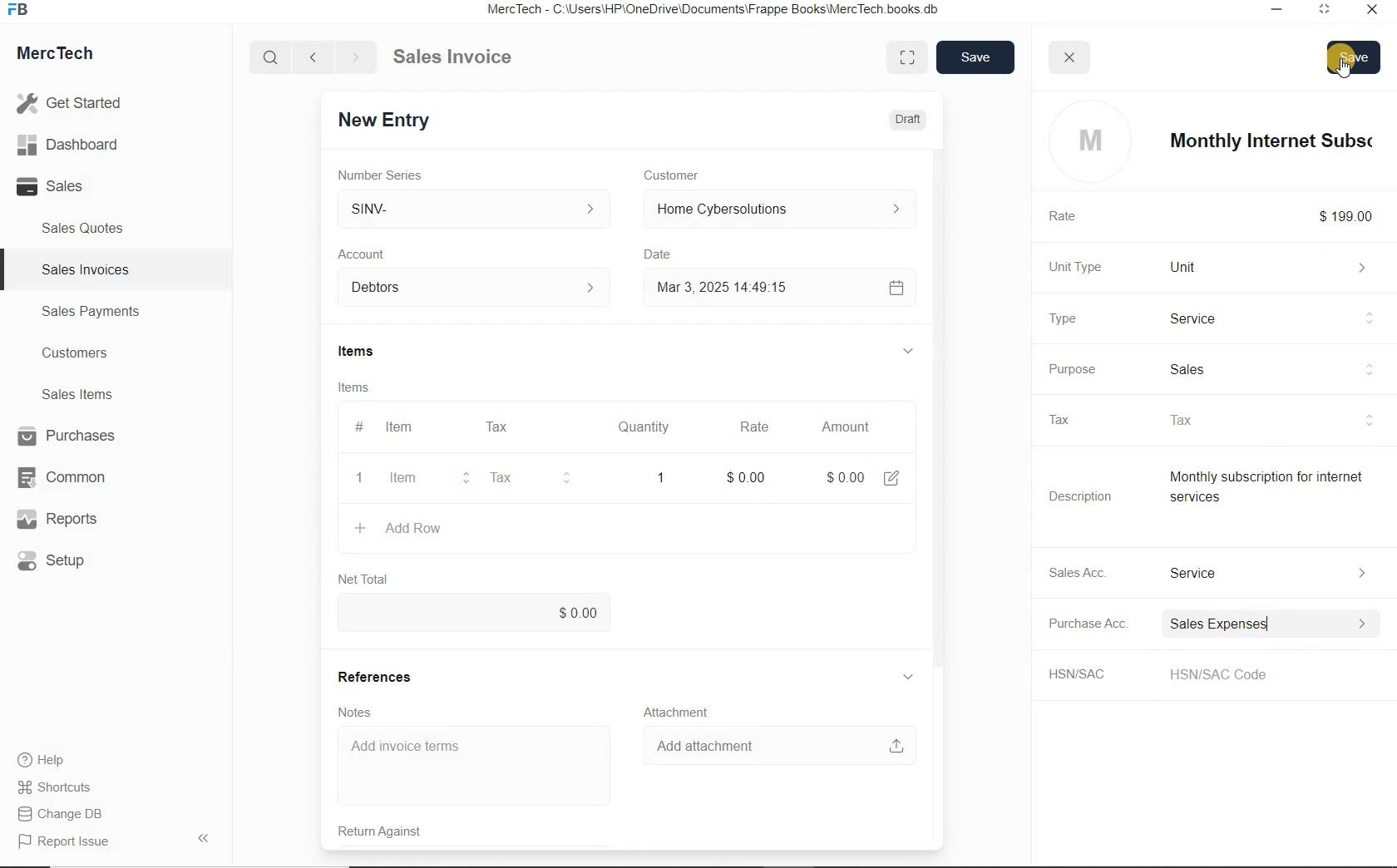 This screenshot has height=868, width=1397. What do you see at coordinates (1078, 674) in the screenshot?
I see `HSN/SAC` at bounding box center [1078, 674].